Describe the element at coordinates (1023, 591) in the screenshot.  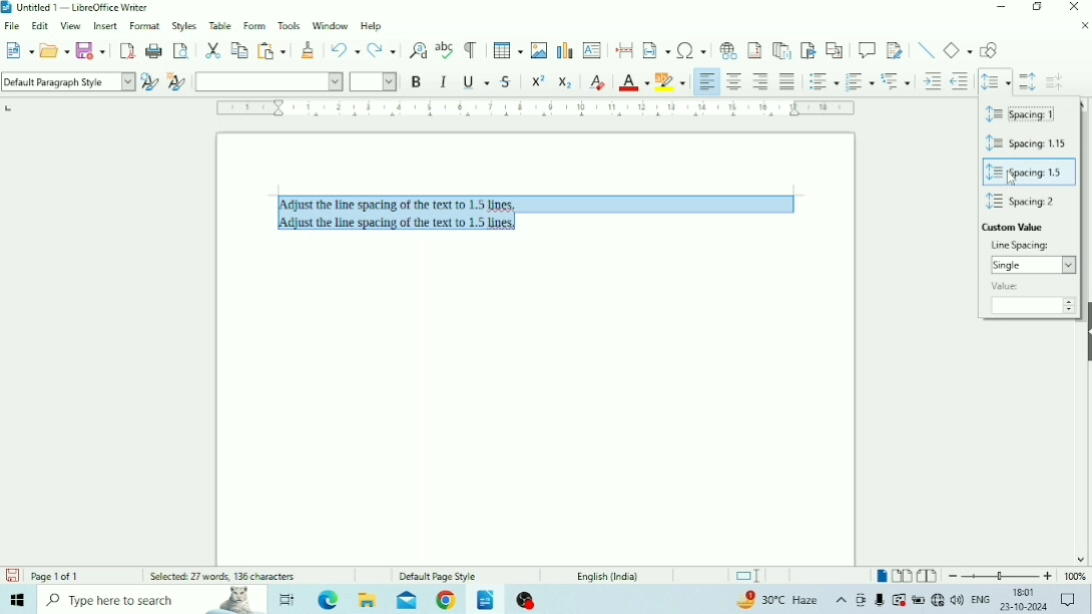
I see `Time` at that location.